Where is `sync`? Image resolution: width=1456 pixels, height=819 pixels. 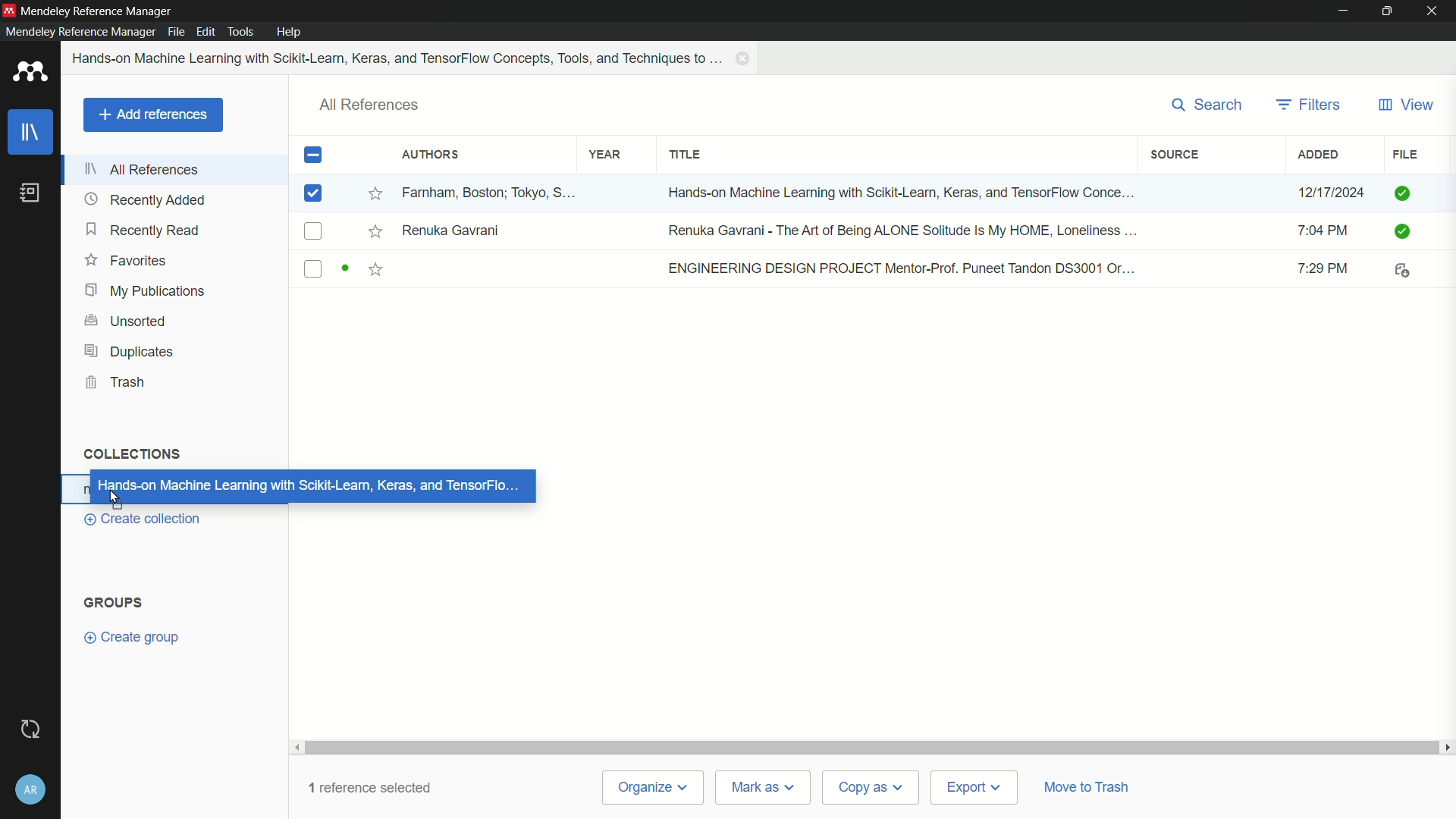
sync is located at coordinates (30, 730).